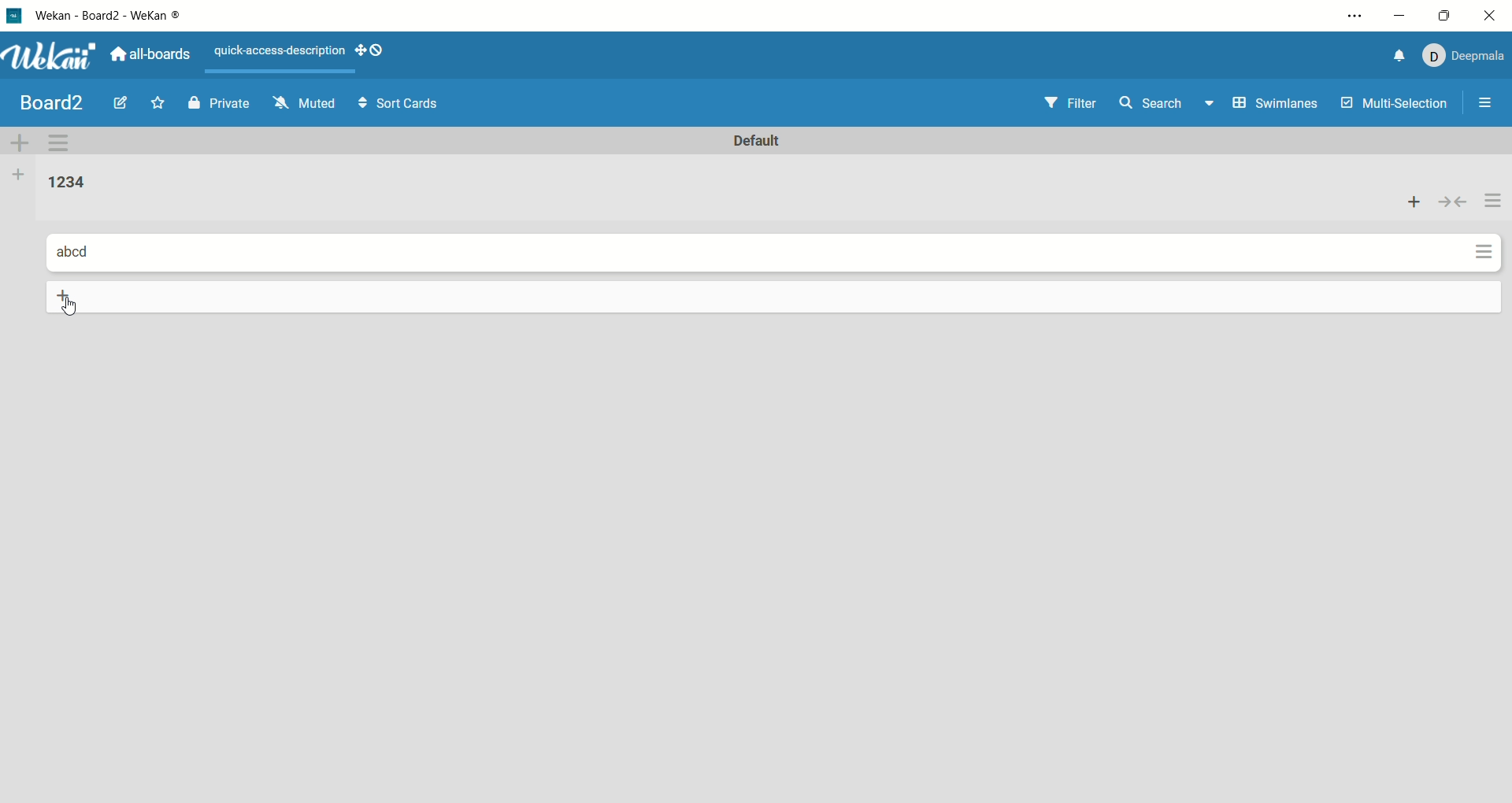  What do you see at coordinates (114, 16) in the screenshot?
I see `wekan-wekan` at bounding box center [114, 16].